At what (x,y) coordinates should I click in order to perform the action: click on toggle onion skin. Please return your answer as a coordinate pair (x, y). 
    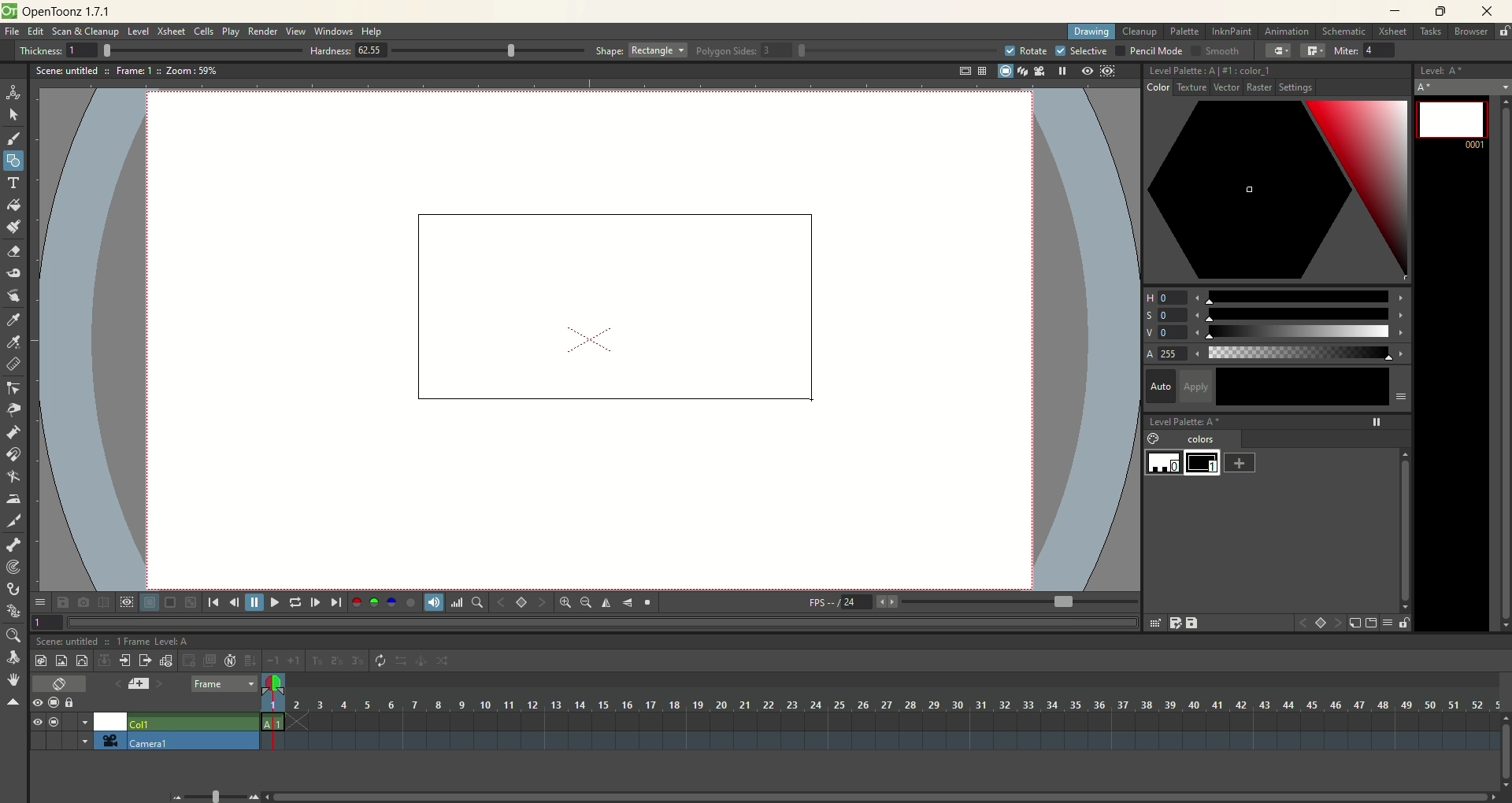
    Looking at the image, I should click on (272, 684).